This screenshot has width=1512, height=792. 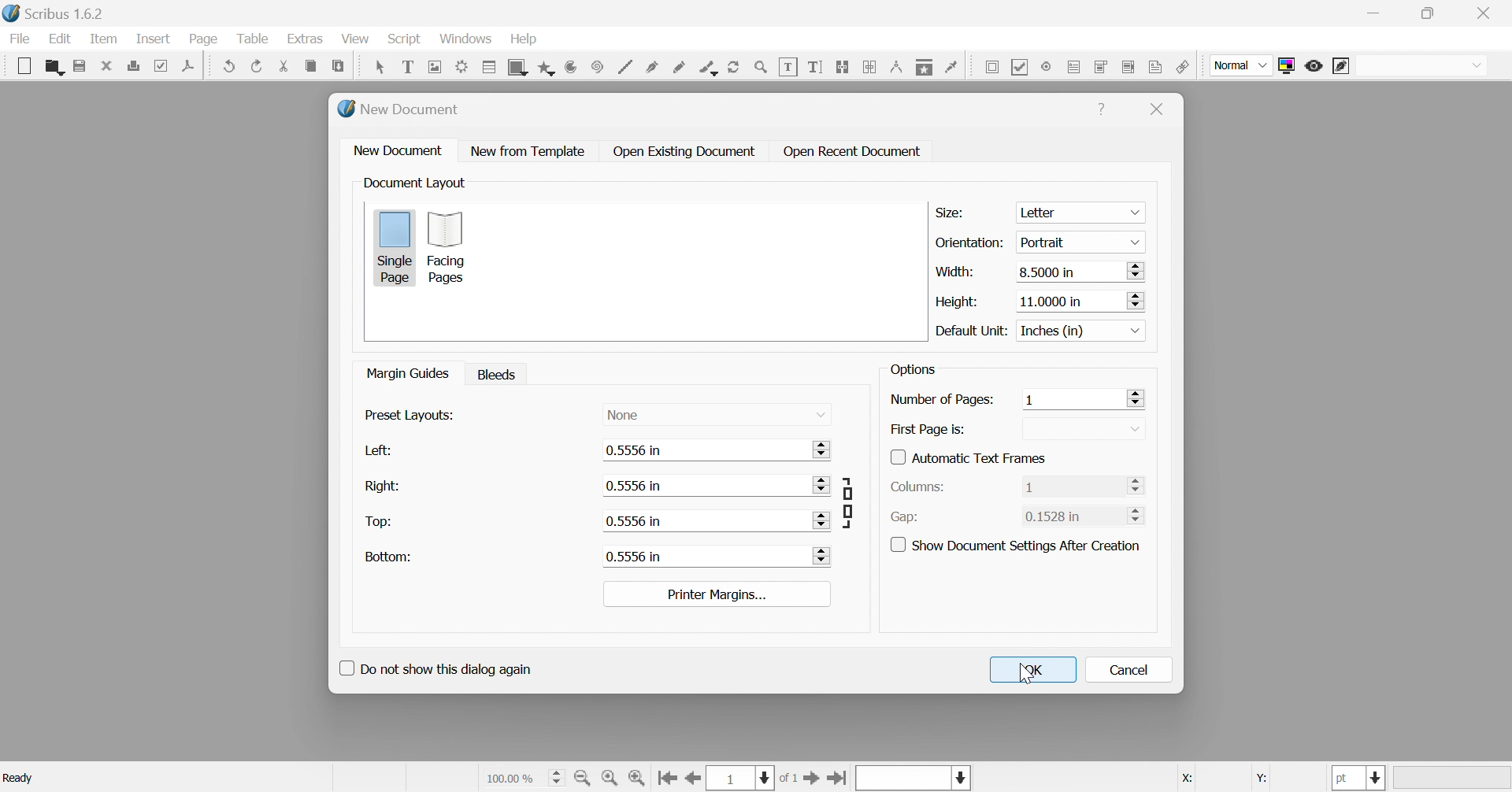 What do you see at coordinates (953, 212) in the screenshot?
I see `size:` at bounding box center [953, 212].